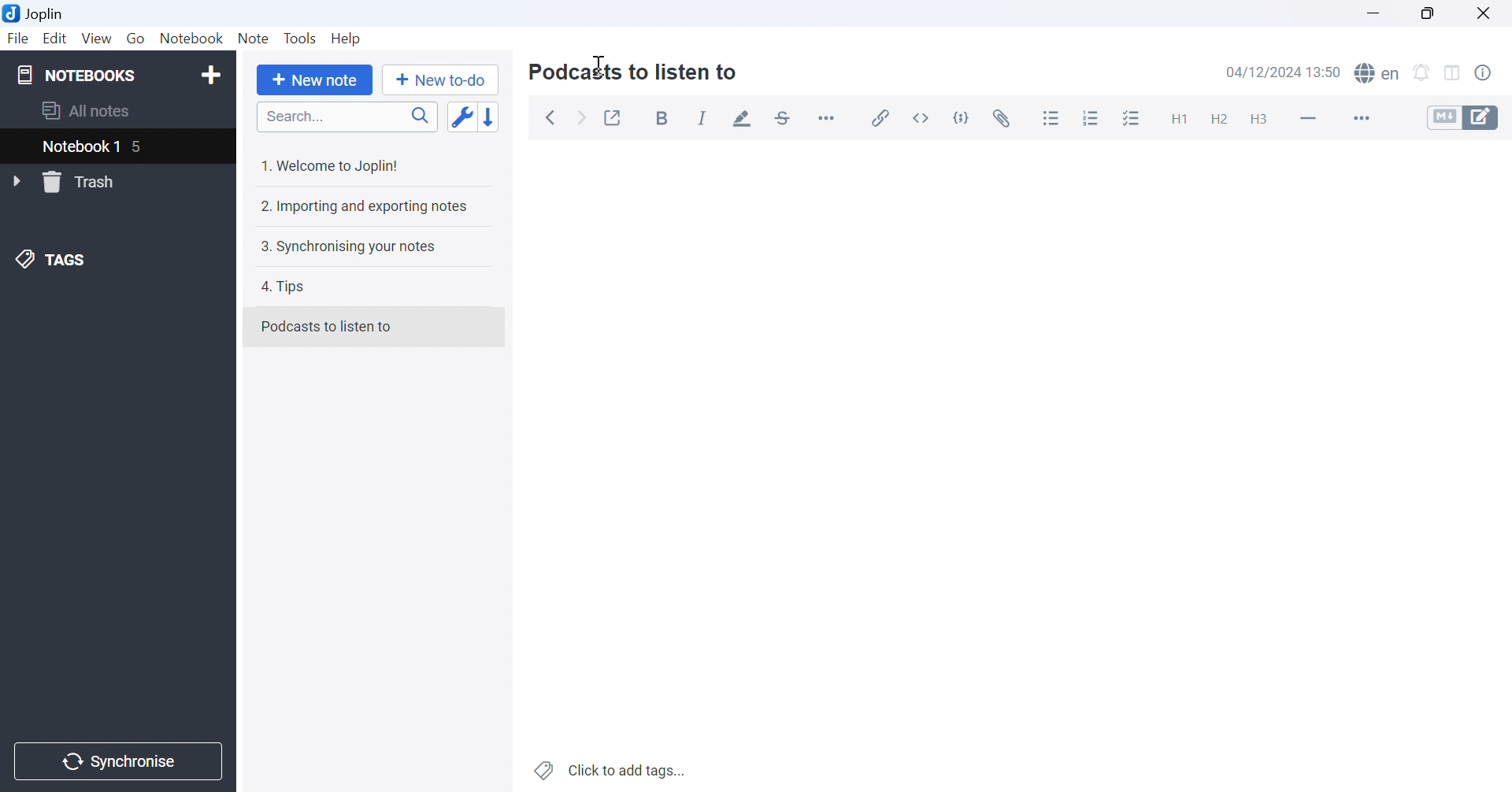 The height and width of the screenshot is (792, 1512). What do you see at coordinates (1469, 117) in the screenshot?
I see `Toggle editors` at bounding box center [1469, 117].